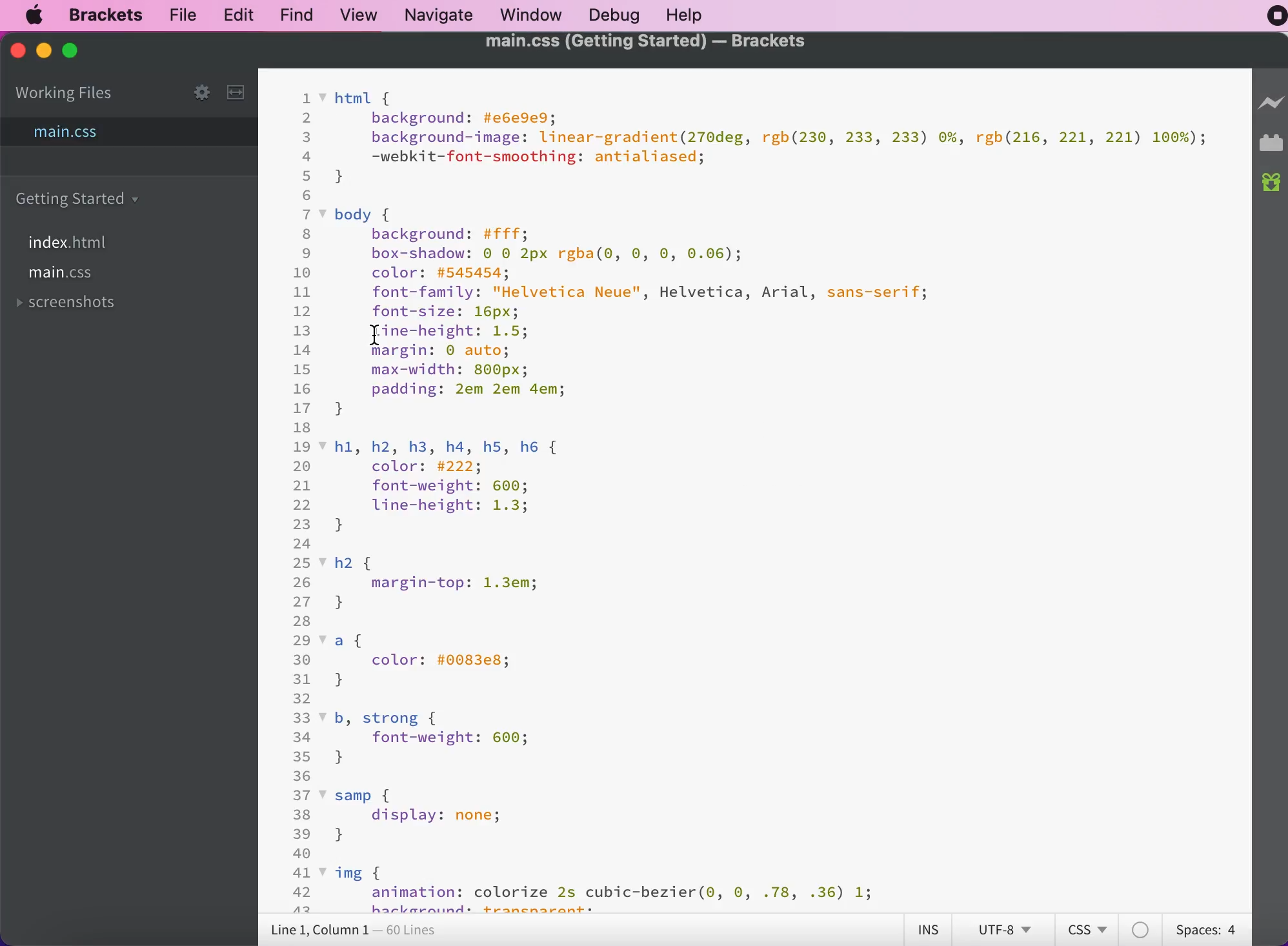 This screenshot has width=1288, height=946. I want to click on extension manager, so click(1271, 142).